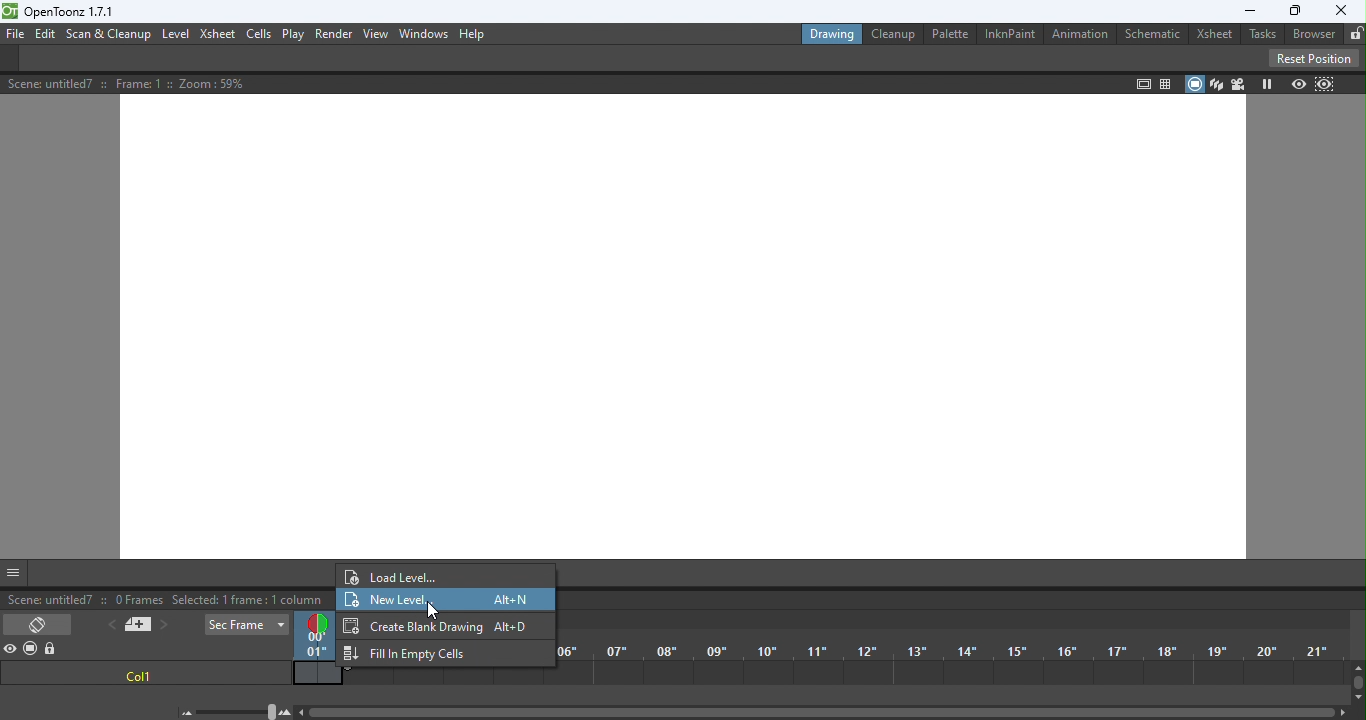 This screenshot has width=1366, height=720. I want to click on Scene details, so click(149, 84).